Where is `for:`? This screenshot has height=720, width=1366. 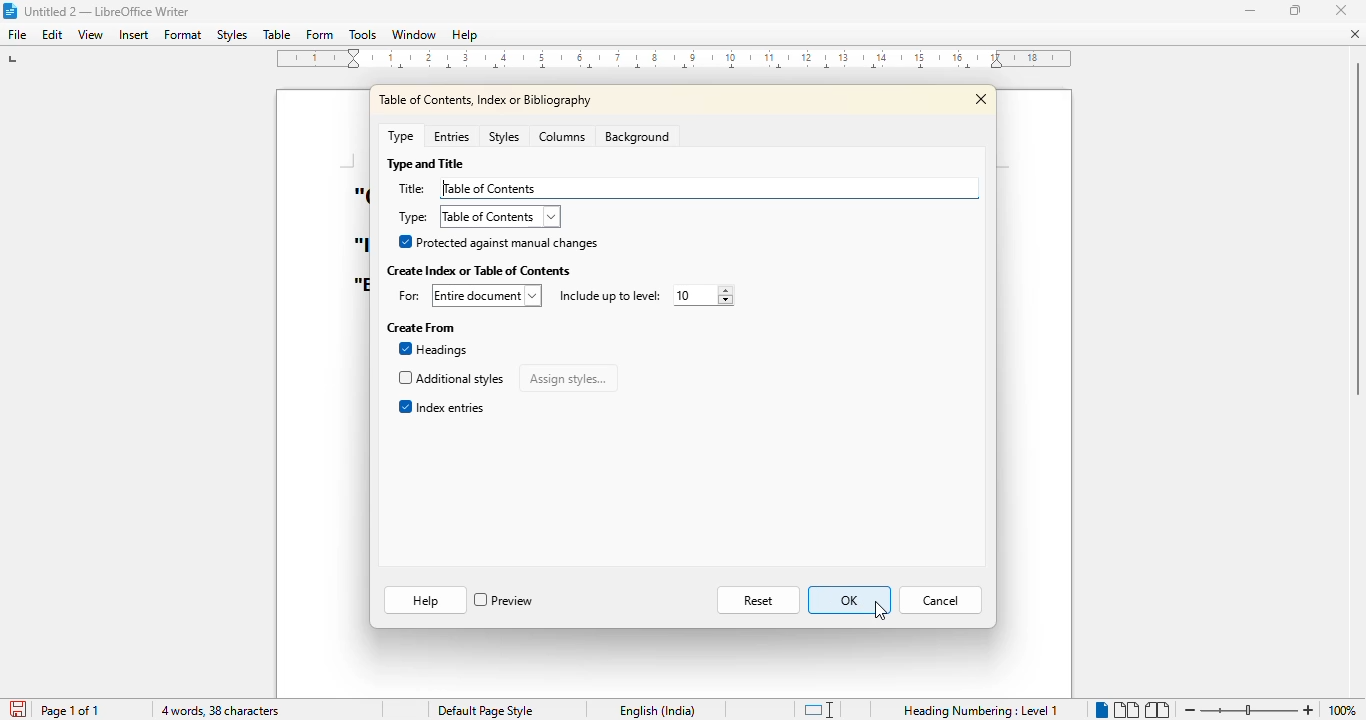 for: is located at coordinates (406, 297).